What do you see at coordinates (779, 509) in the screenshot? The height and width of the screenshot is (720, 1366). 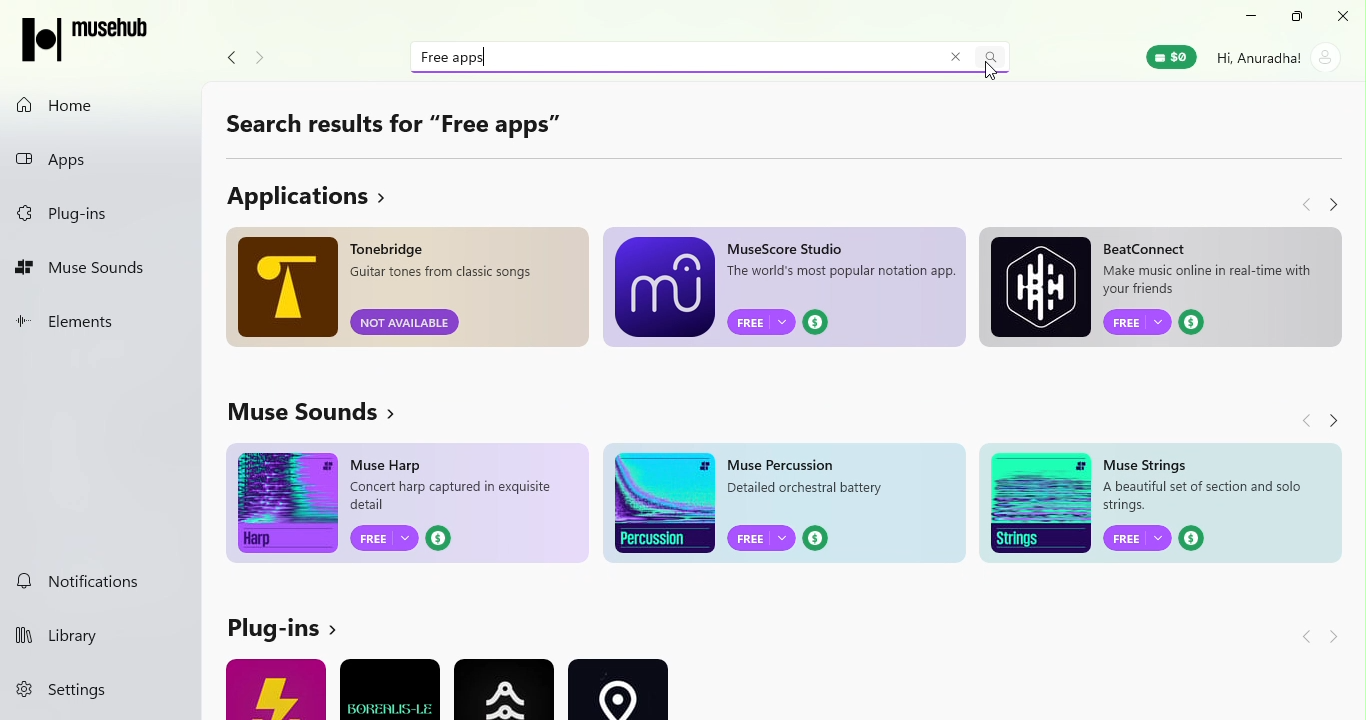 I see `Ad` at bounding box center [779, 509].